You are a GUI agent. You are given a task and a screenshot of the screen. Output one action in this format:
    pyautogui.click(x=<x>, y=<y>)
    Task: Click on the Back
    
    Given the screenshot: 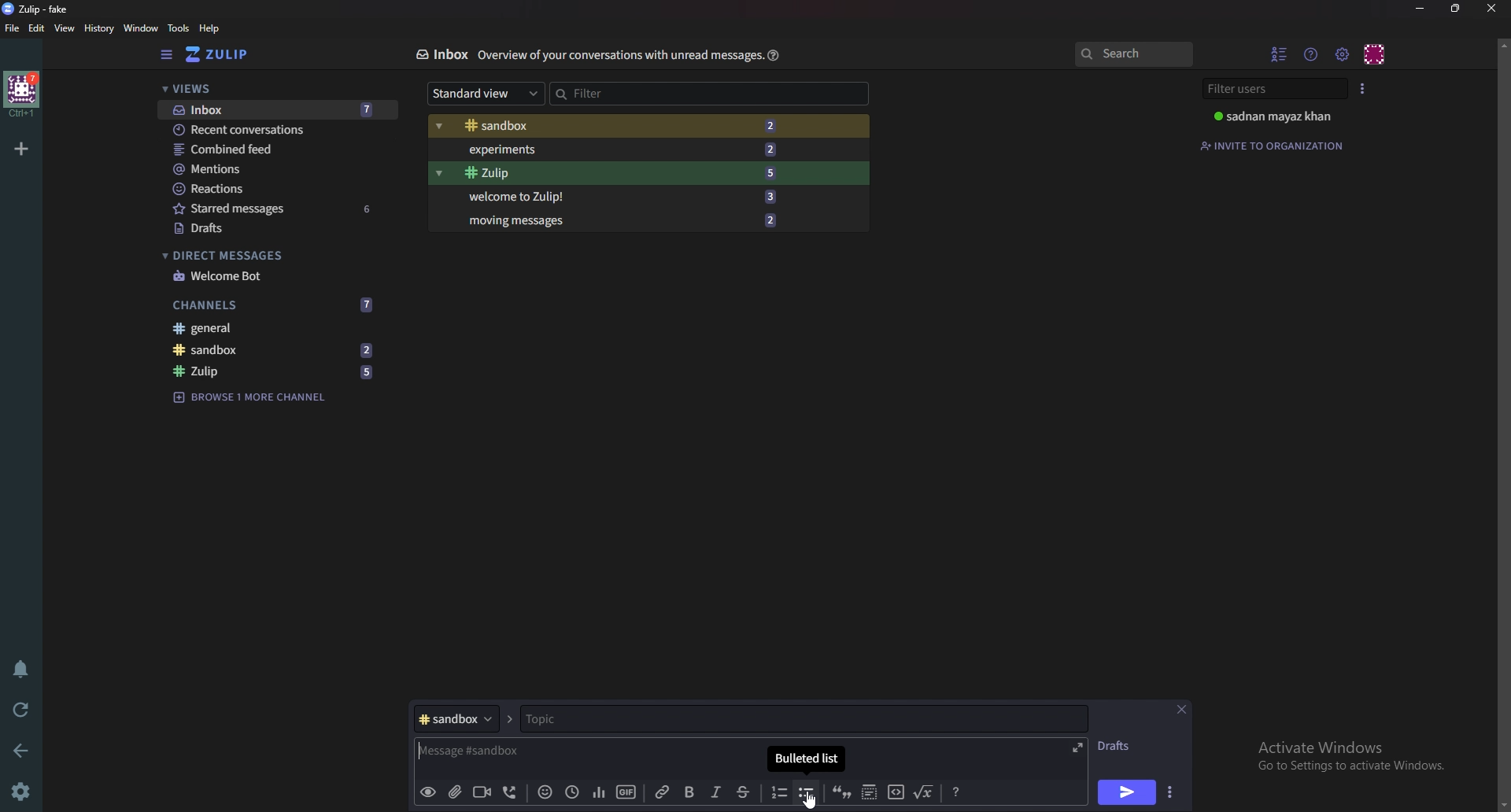 What is the action you would take?
    pyautogui.click(x=24, y=749)
    